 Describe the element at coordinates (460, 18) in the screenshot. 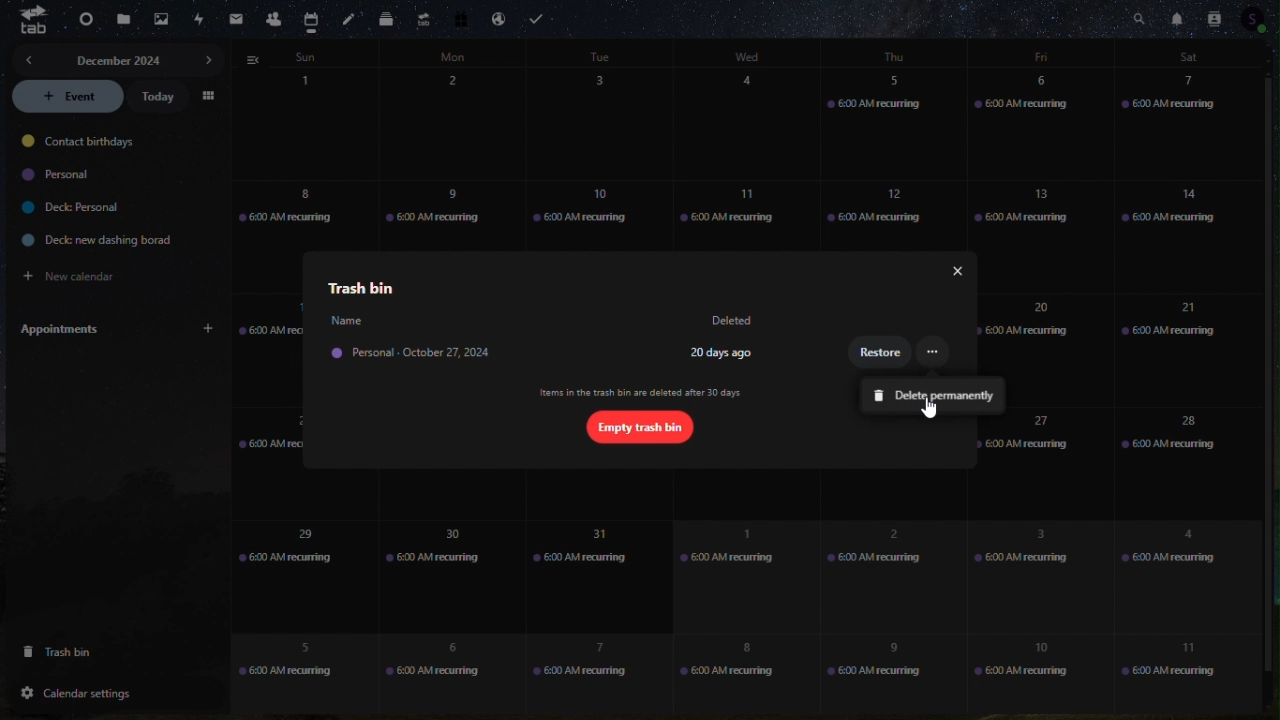

I see `free trail` at that location.